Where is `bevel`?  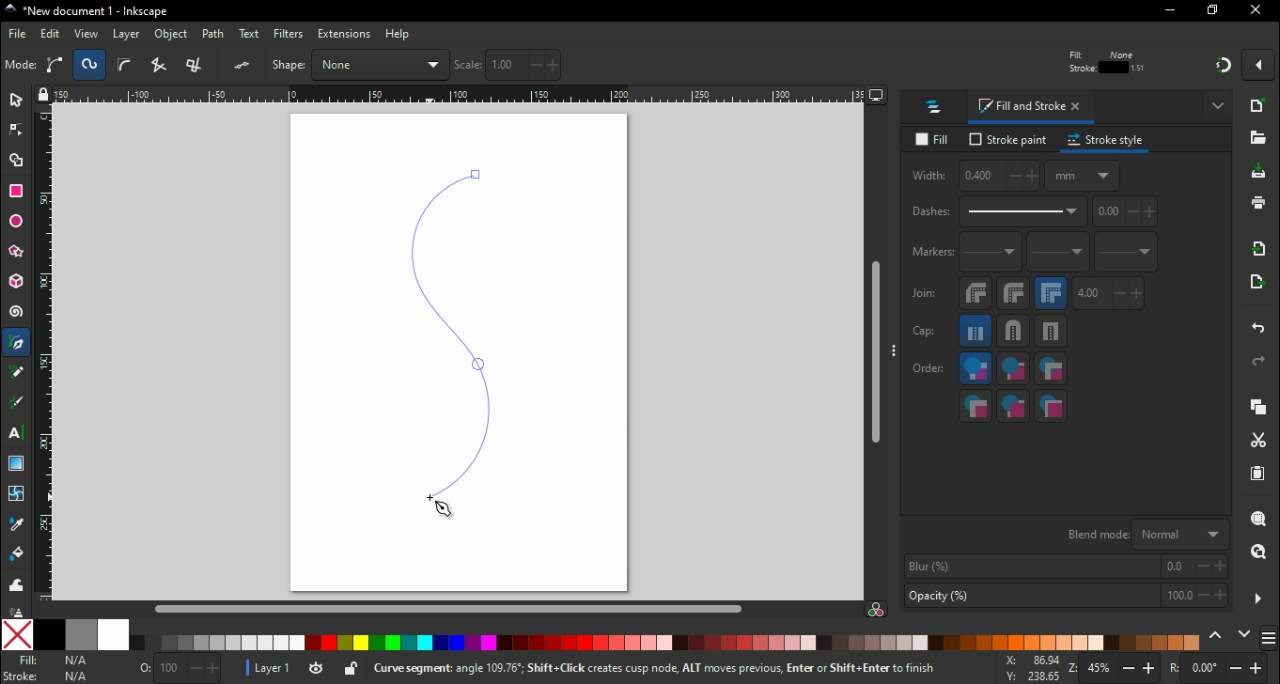
bevel is located at coordinates (975, 297).